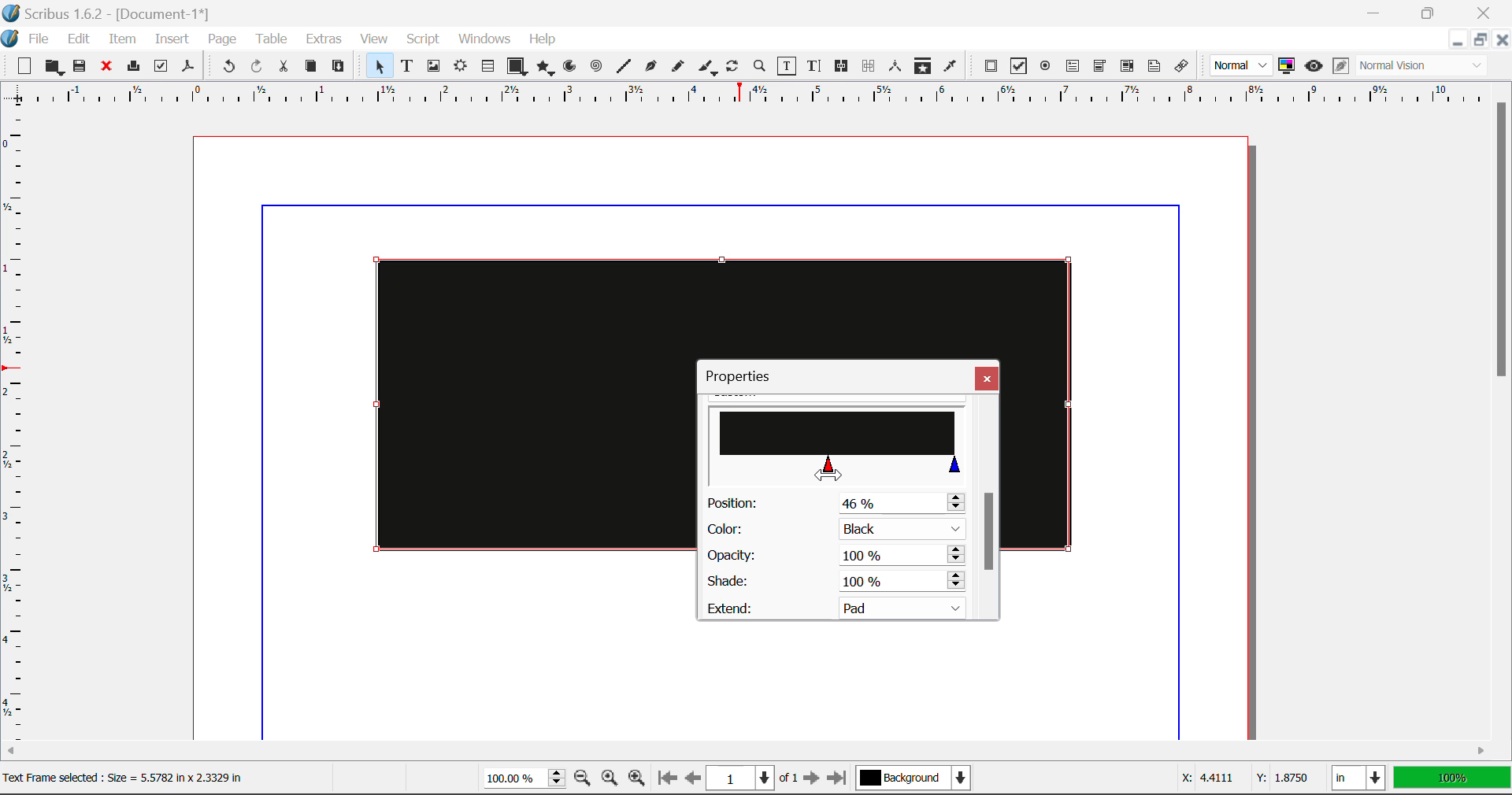 The image size is (1512, 795). What do you see at coordinates (1045, 68) in the screenshot?
I see `PDF Radio Button` at bounding box center [1045, 68].